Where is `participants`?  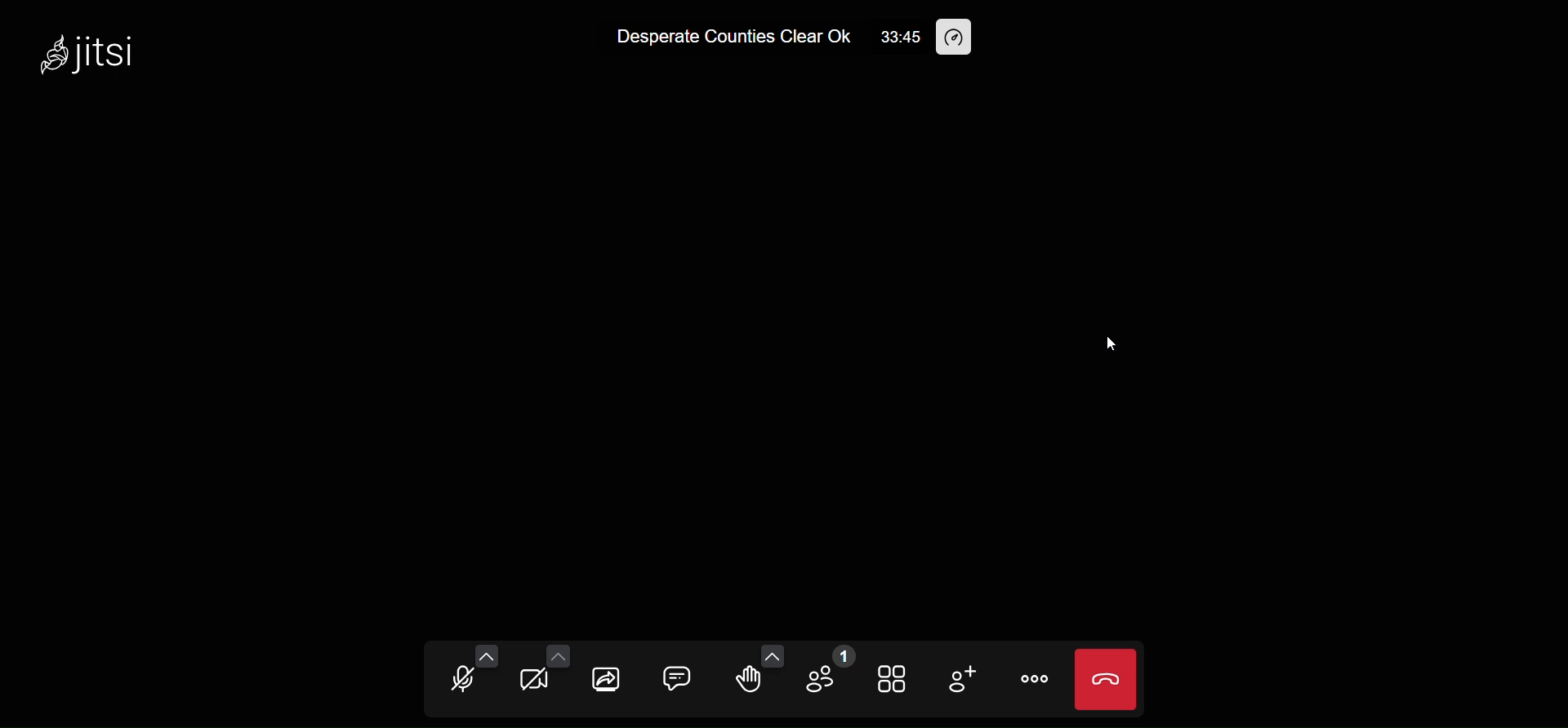
participants is located at coordinates (823, 672).